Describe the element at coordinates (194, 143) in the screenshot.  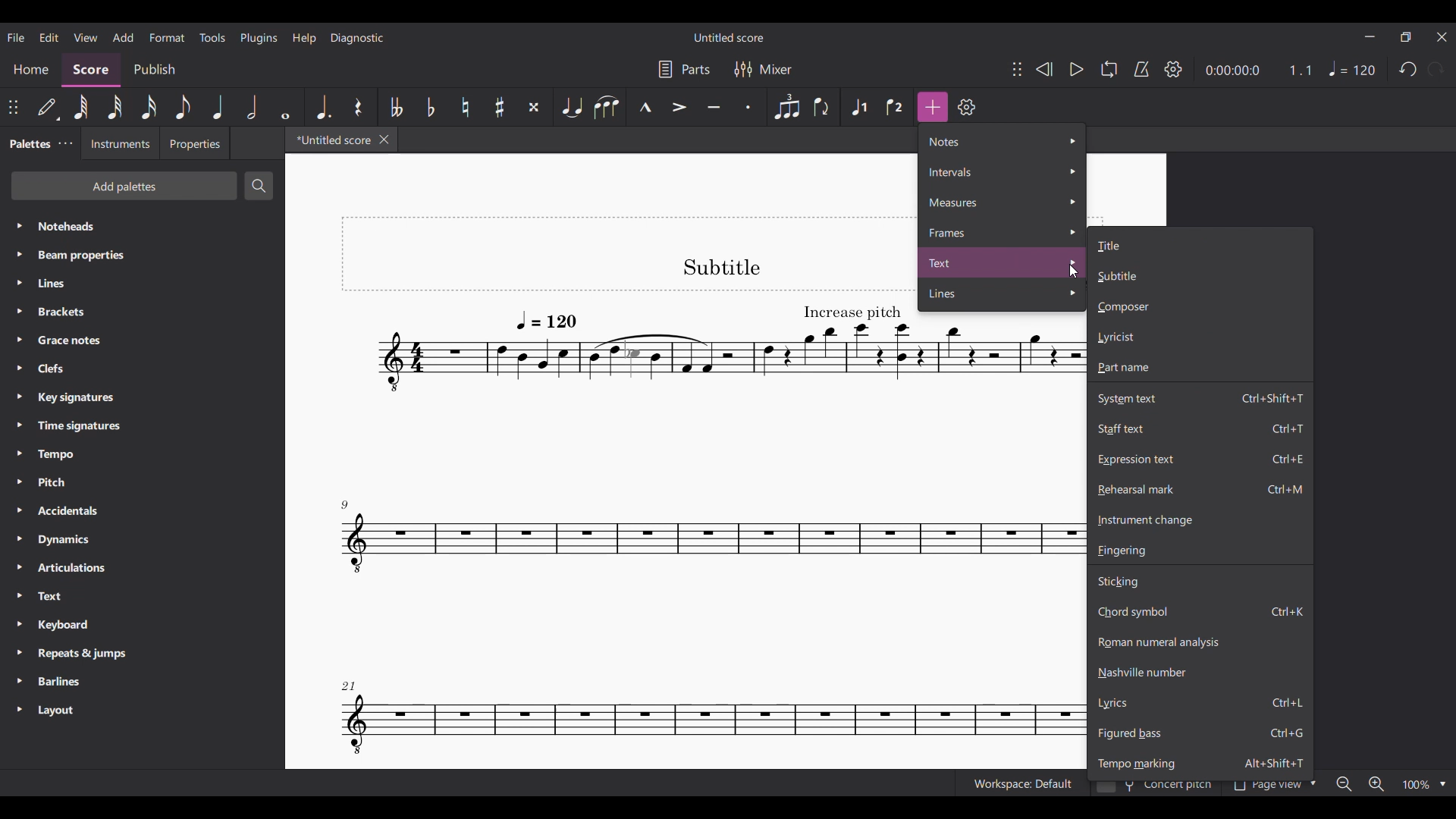
I see `Properties` at that location.